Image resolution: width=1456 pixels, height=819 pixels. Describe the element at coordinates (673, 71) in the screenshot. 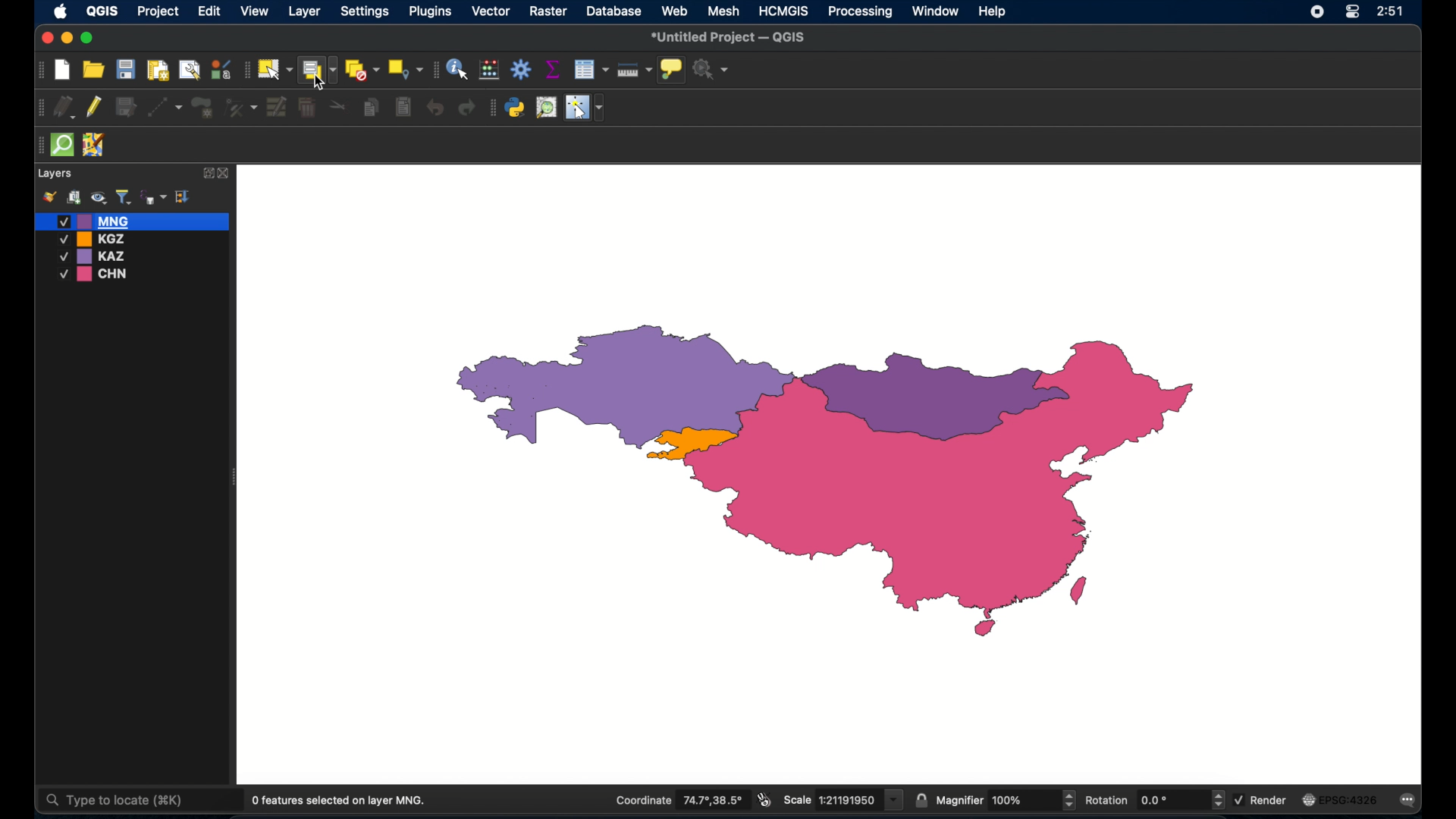

I see `show map tips` at that location.